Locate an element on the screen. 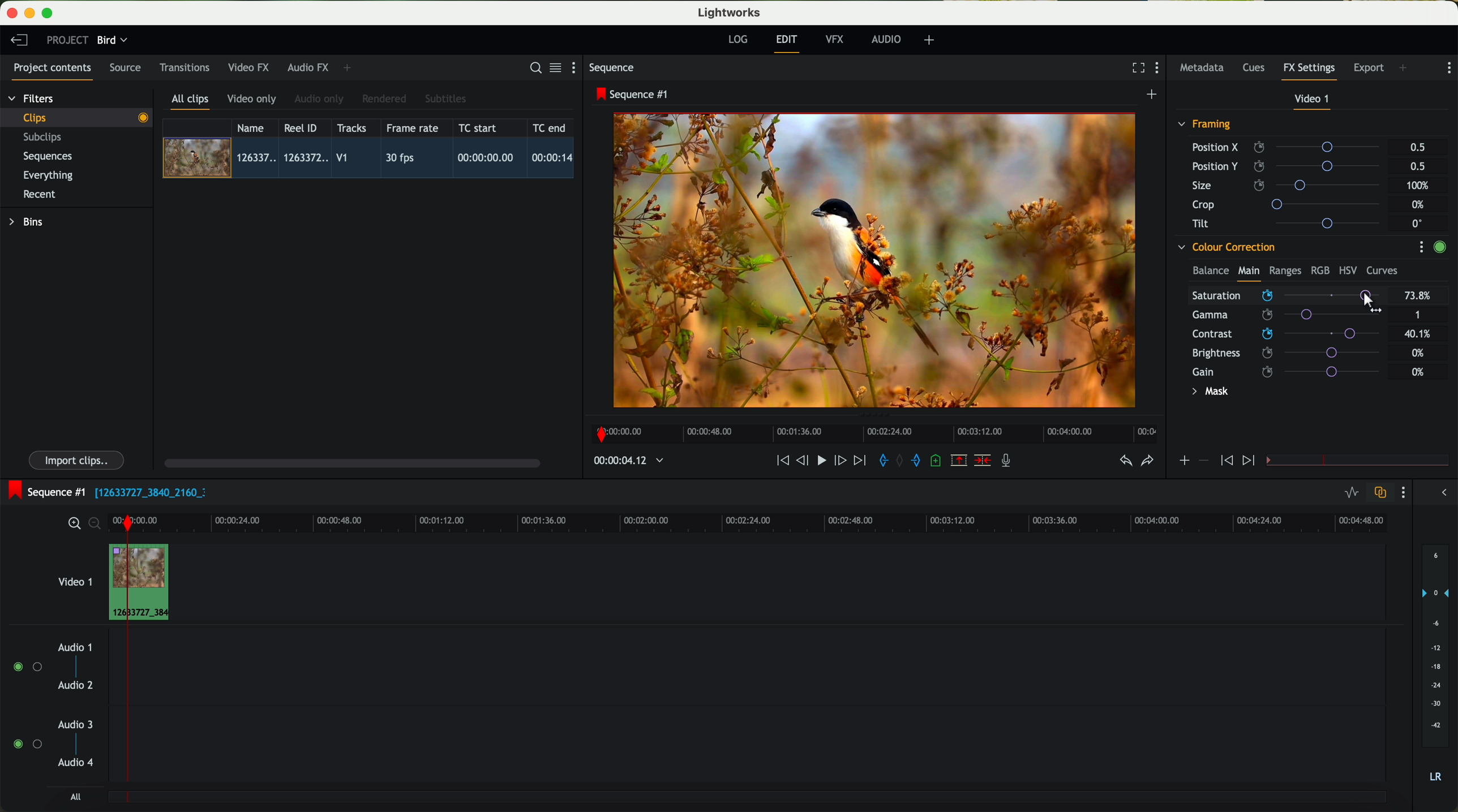 The height and width of the screenshot is (812, 1458). recent is located at coordinates (40, 196).